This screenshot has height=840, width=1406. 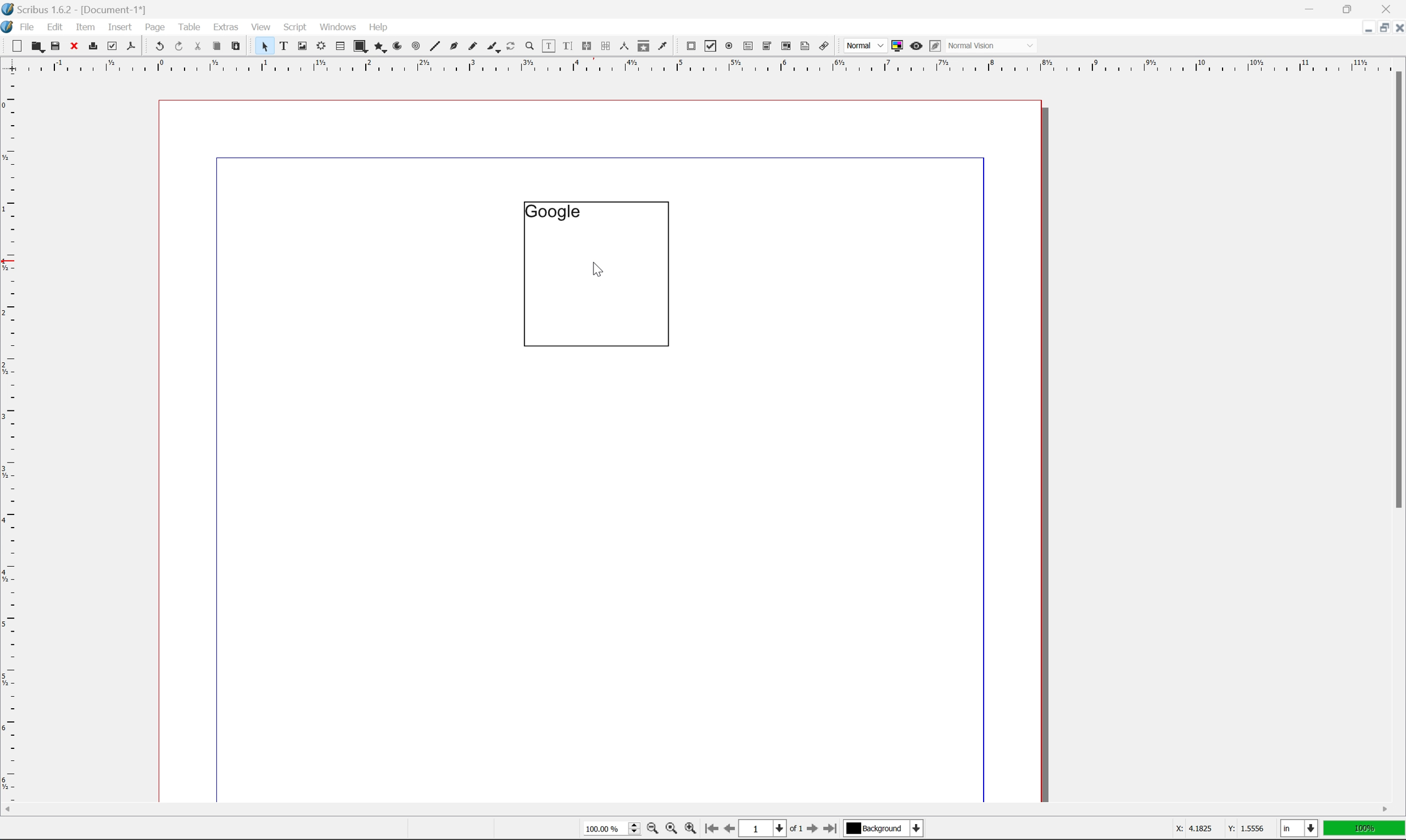 What do you see at coordinates (623, 46) in the screenshot?
I see `measurements` at bounding box center [623, 46].